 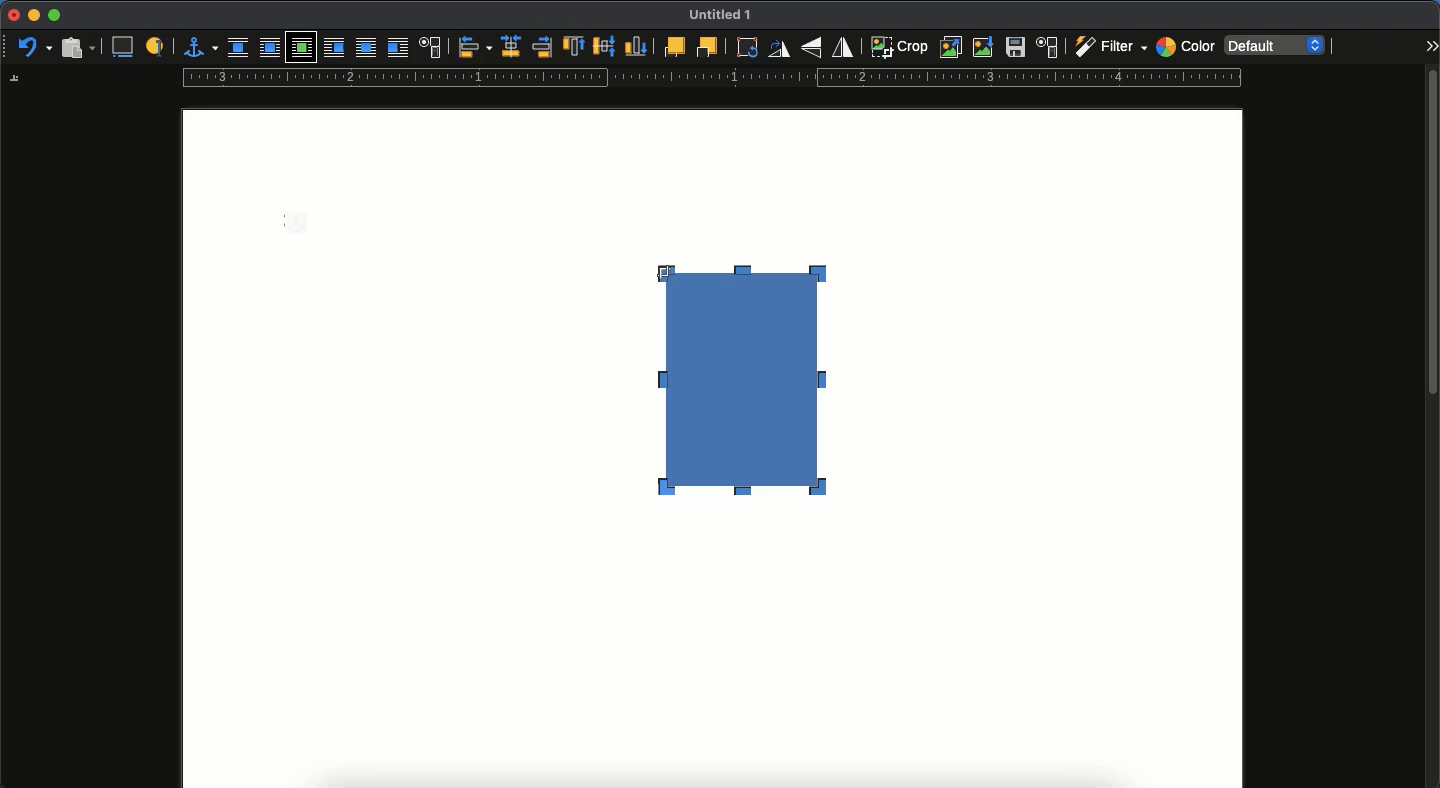 What do you see at coordinates (707, 46) in the screenshot?
I see `to back` at bounding box center [707, 46].